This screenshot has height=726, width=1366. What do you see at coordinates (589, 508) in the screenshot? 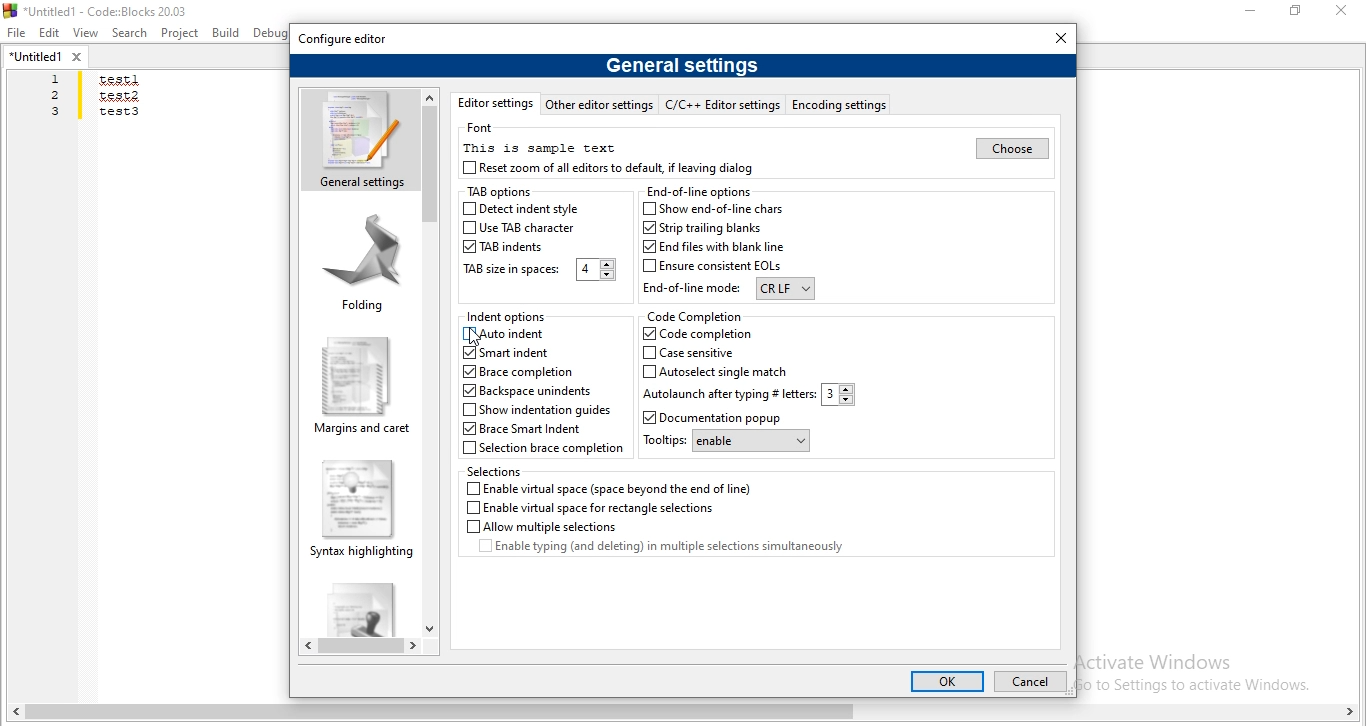
I see `Enable virtual space for rectangle selections` at bounding box center [589, 508].